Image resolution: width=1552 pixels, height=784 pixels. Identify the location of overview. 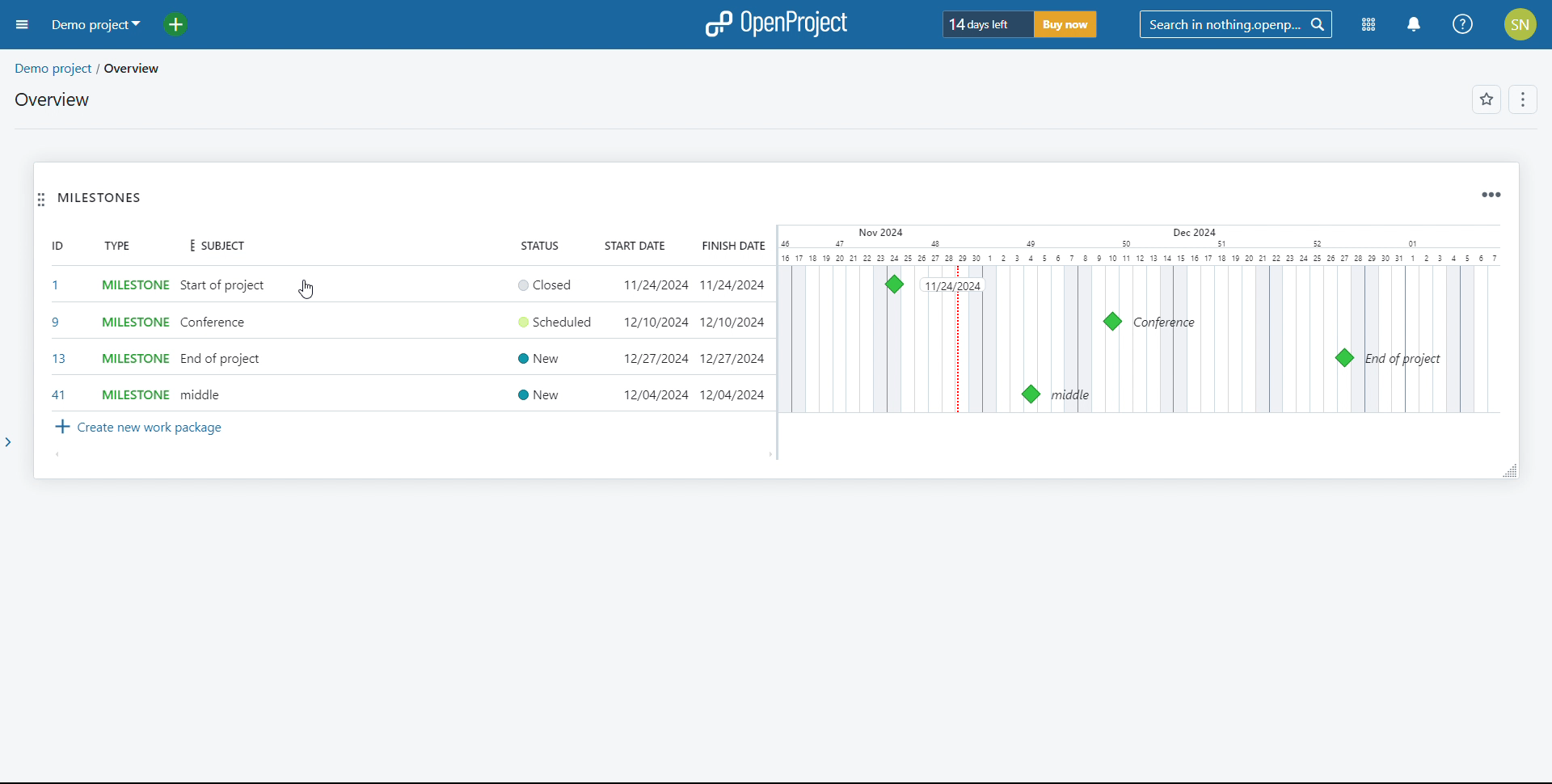
(134, 66).